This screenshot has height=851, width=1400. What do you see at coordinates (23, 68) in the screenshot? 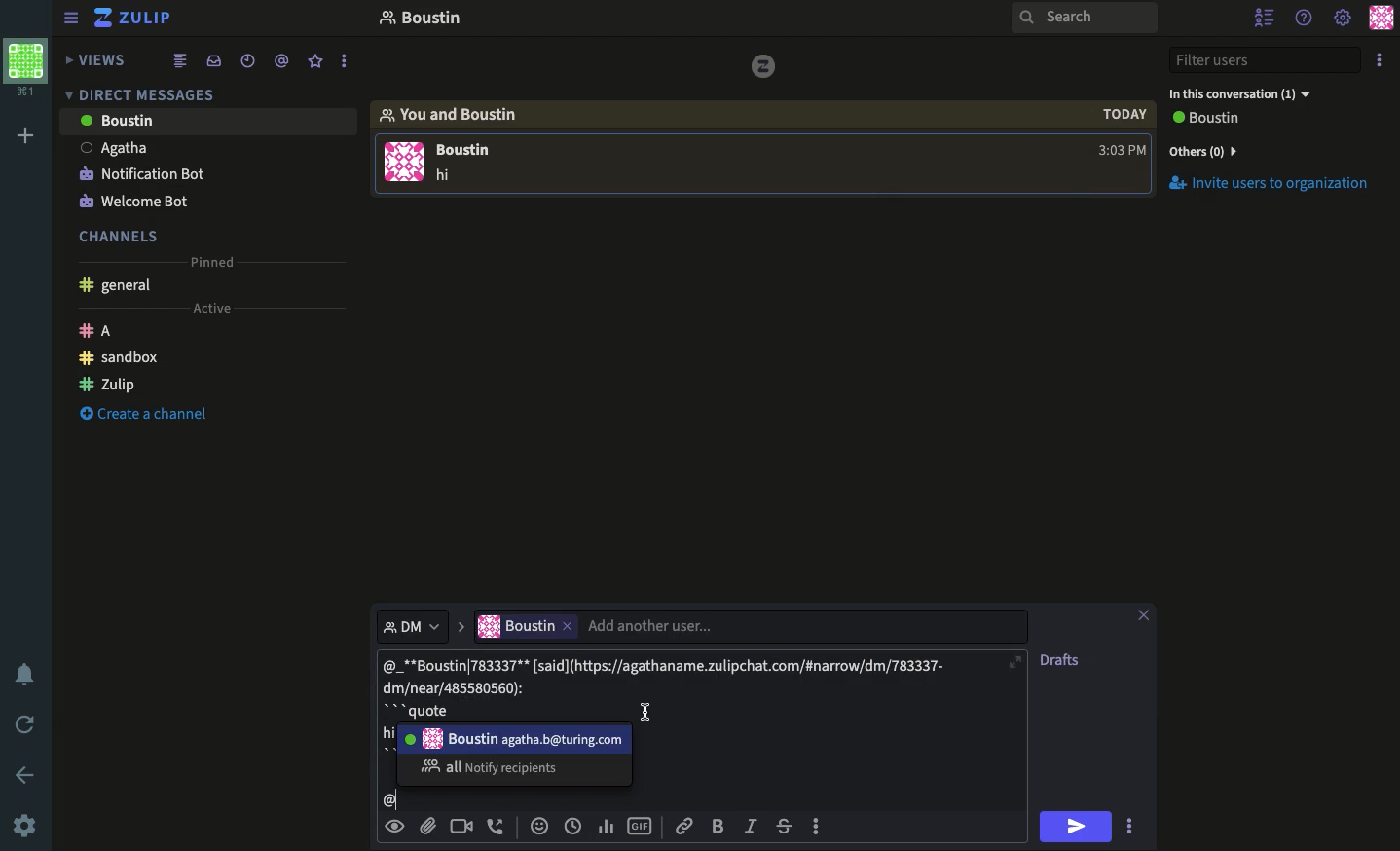
I see `Workspace profile` at bounding box center [23, 68].